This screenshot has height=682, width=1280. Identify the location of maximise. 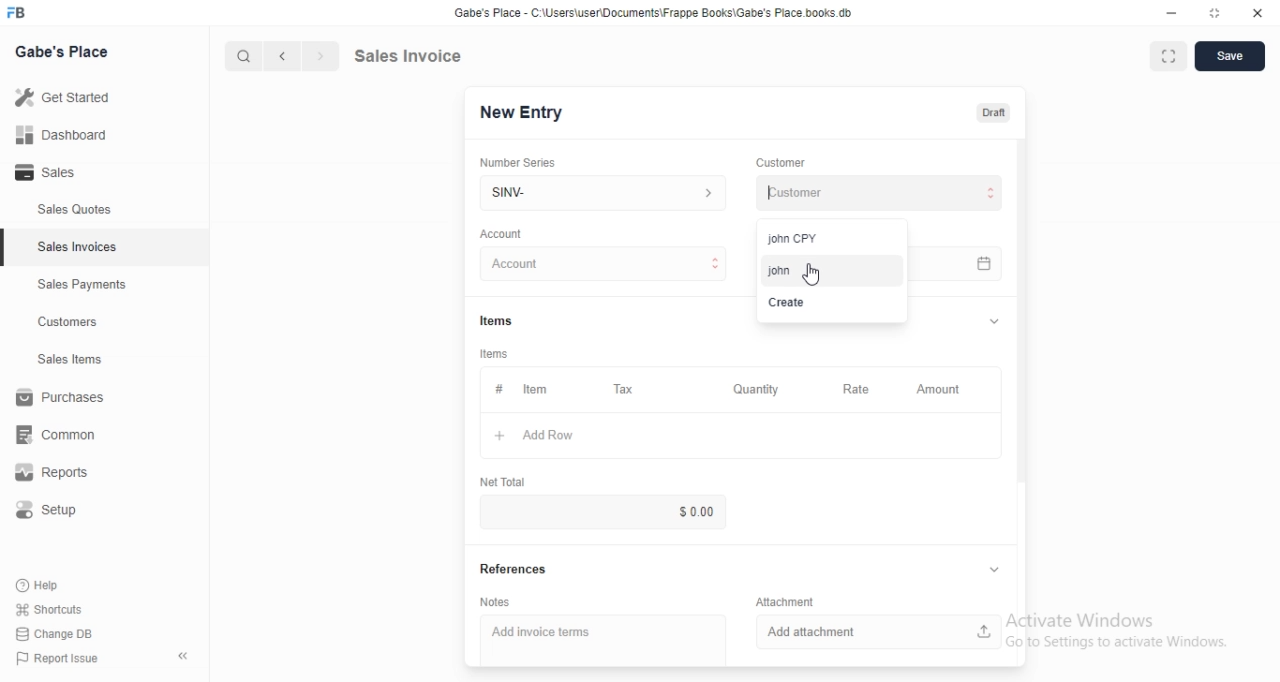
(1163, 54).